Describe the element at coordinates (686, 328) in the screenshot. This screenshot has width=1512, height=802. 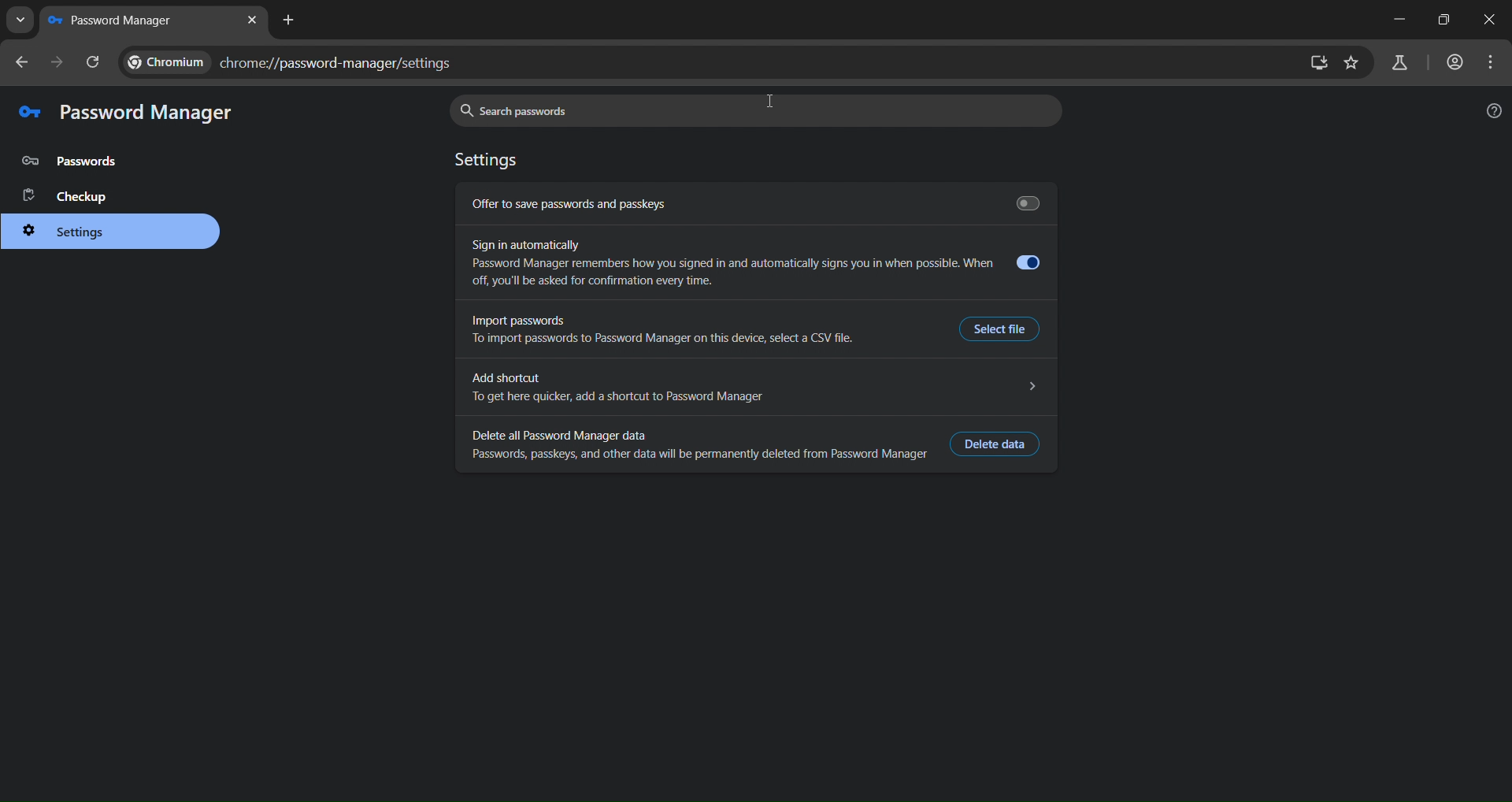
I see `import passwords To import passwords to Password Manager on this device, select a CSV file` at that location.